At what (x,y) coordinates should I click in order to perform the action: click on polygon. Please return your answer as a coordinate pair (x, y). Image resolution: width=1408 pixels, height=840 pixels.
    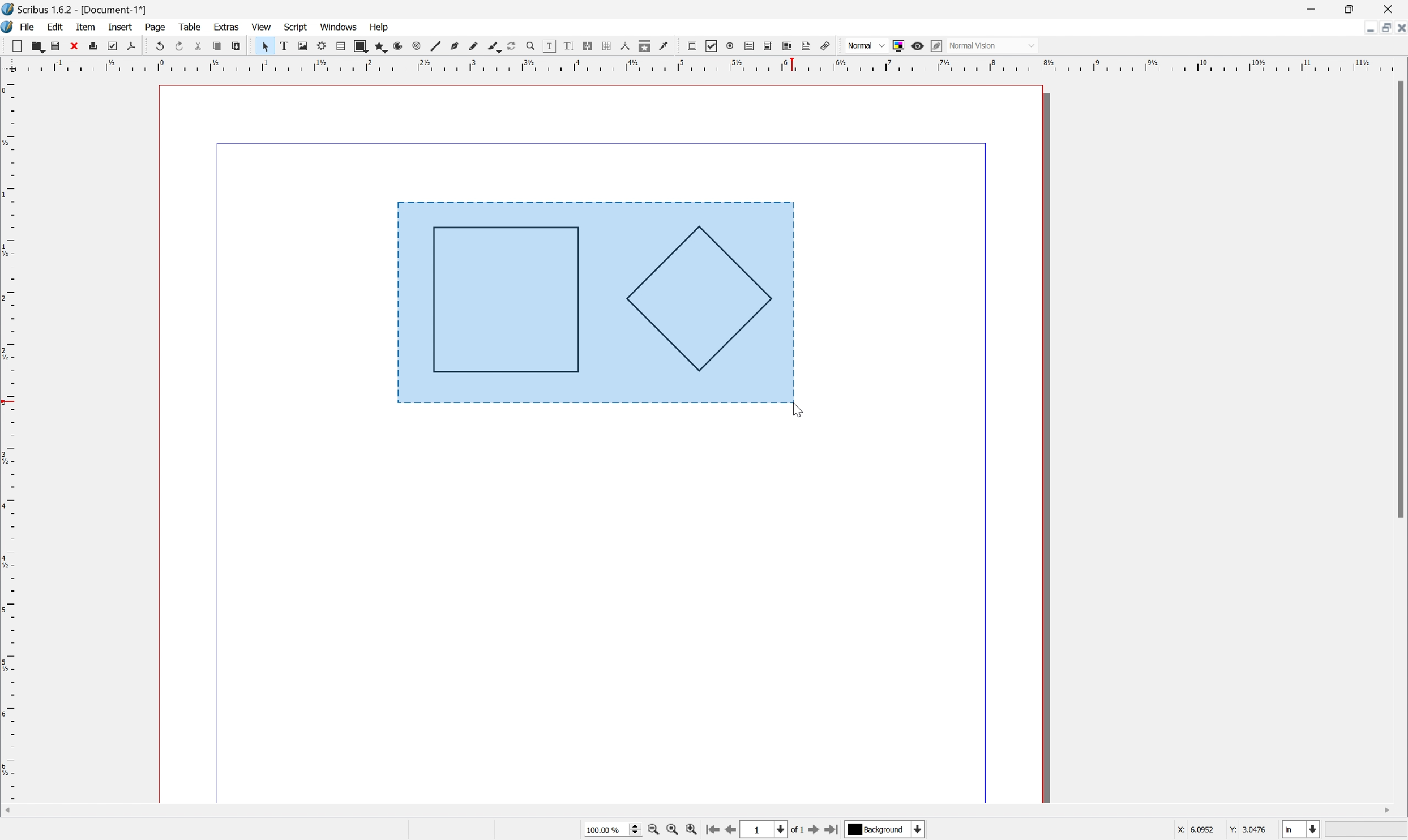
    Looking at the image, I should click on (376, 46).